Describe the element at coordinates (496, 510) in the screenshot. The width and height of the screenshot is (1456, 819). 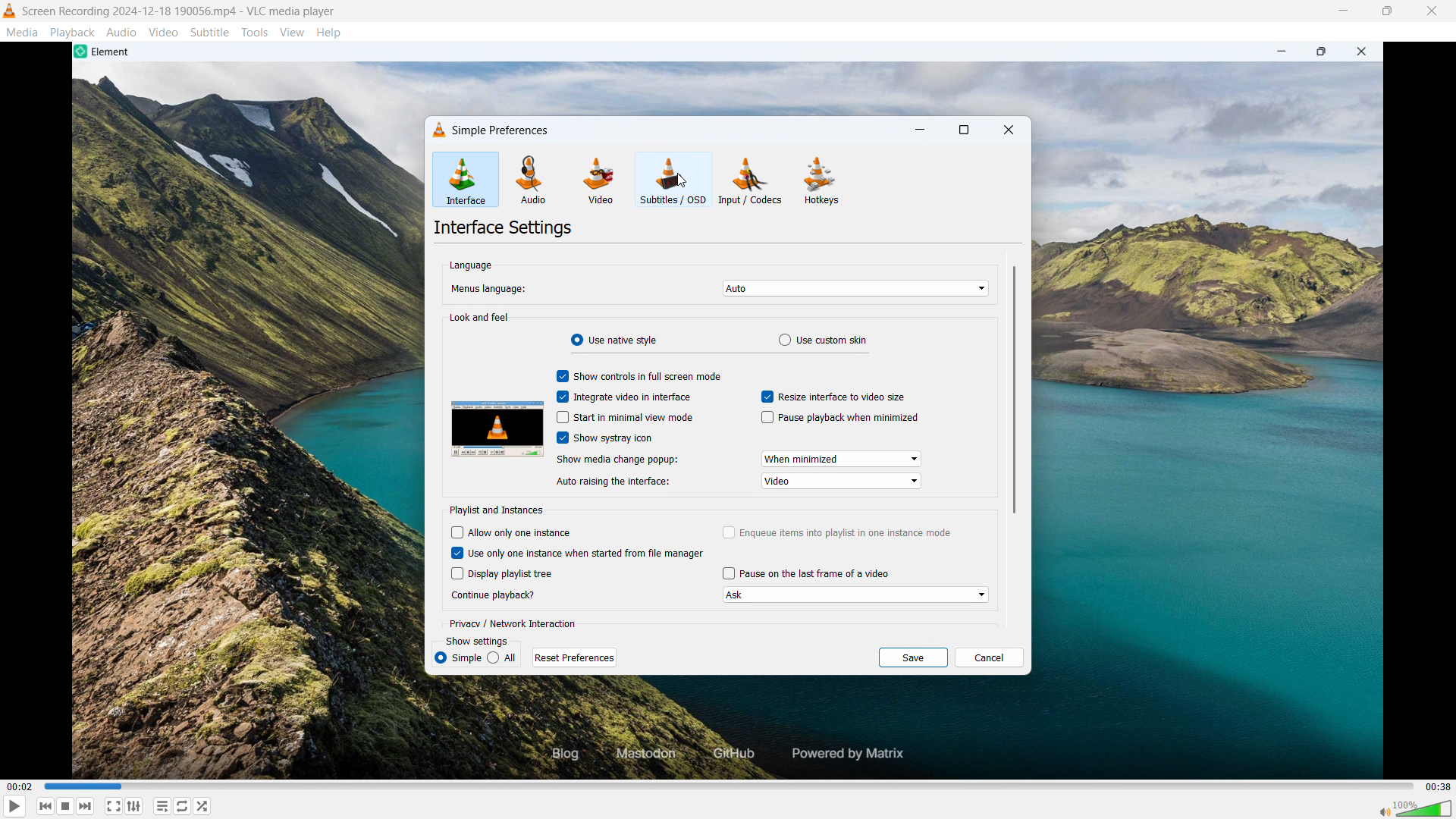
I see `playlist and instances` at that location.